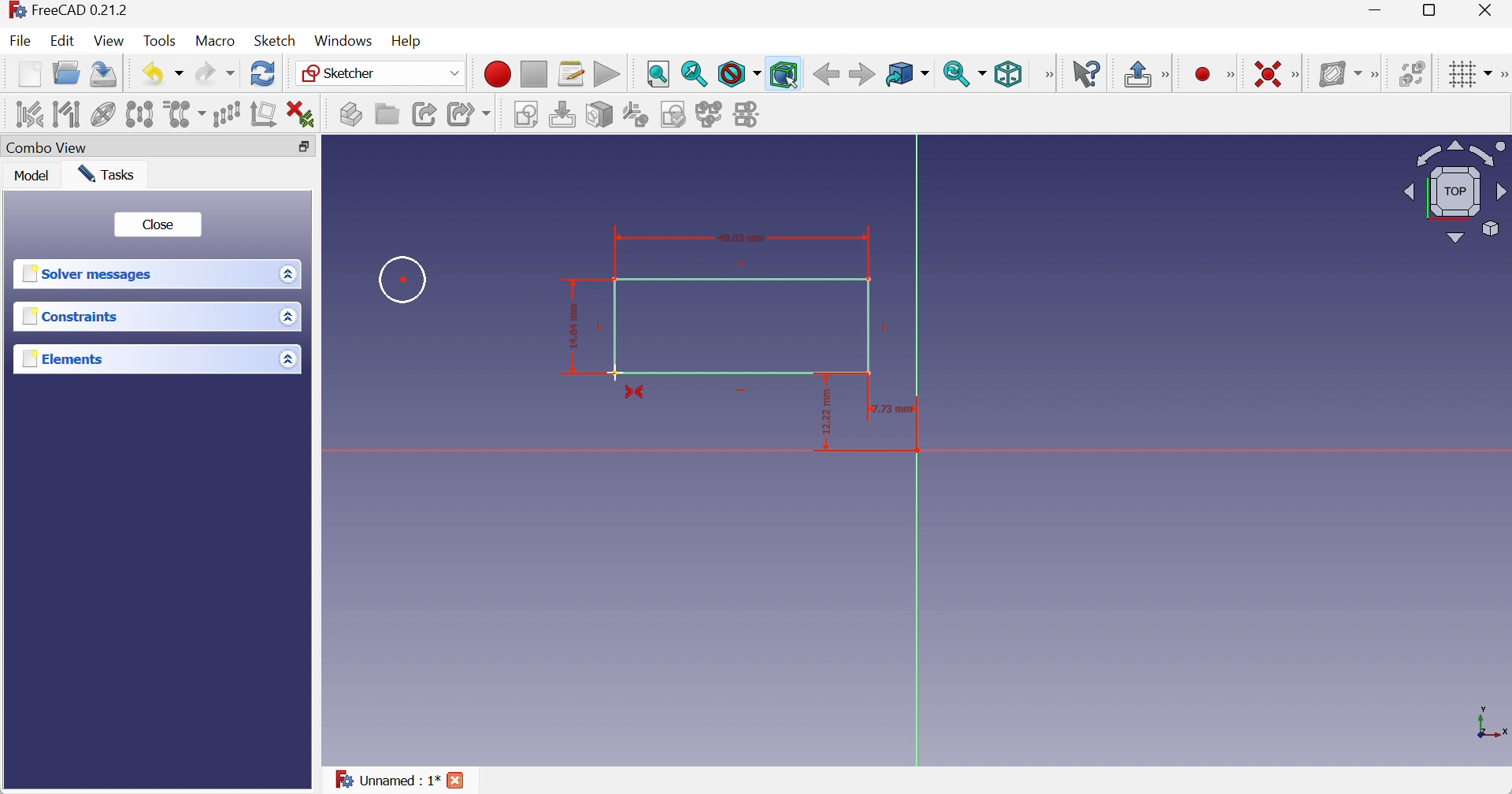 The height and width of the screenshot is (794, 1512). I want to click on Elements, so click(69, 358).